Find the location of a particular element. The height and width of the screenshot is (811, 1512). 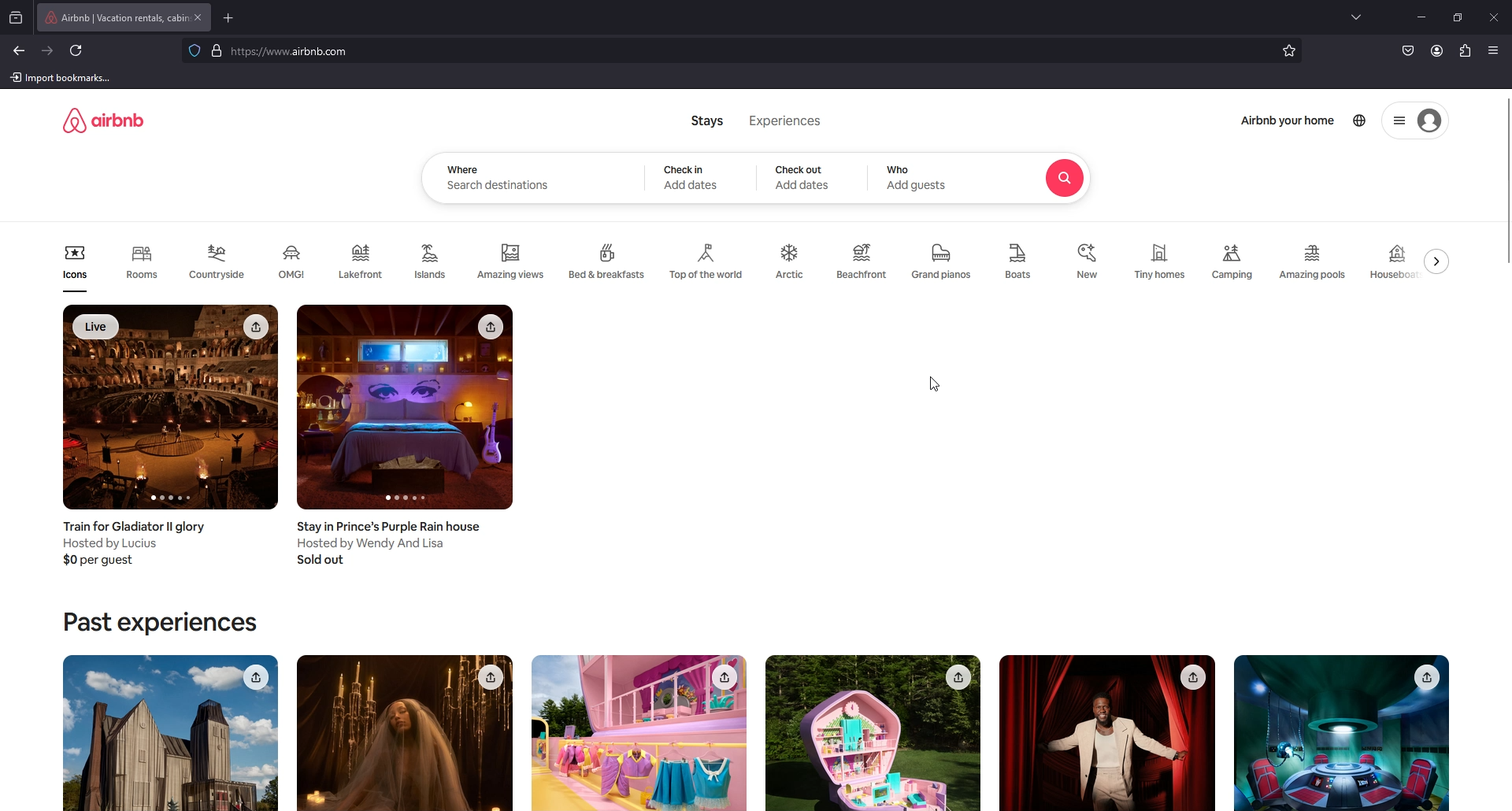

Add dates is located at coordinates (803, 186).